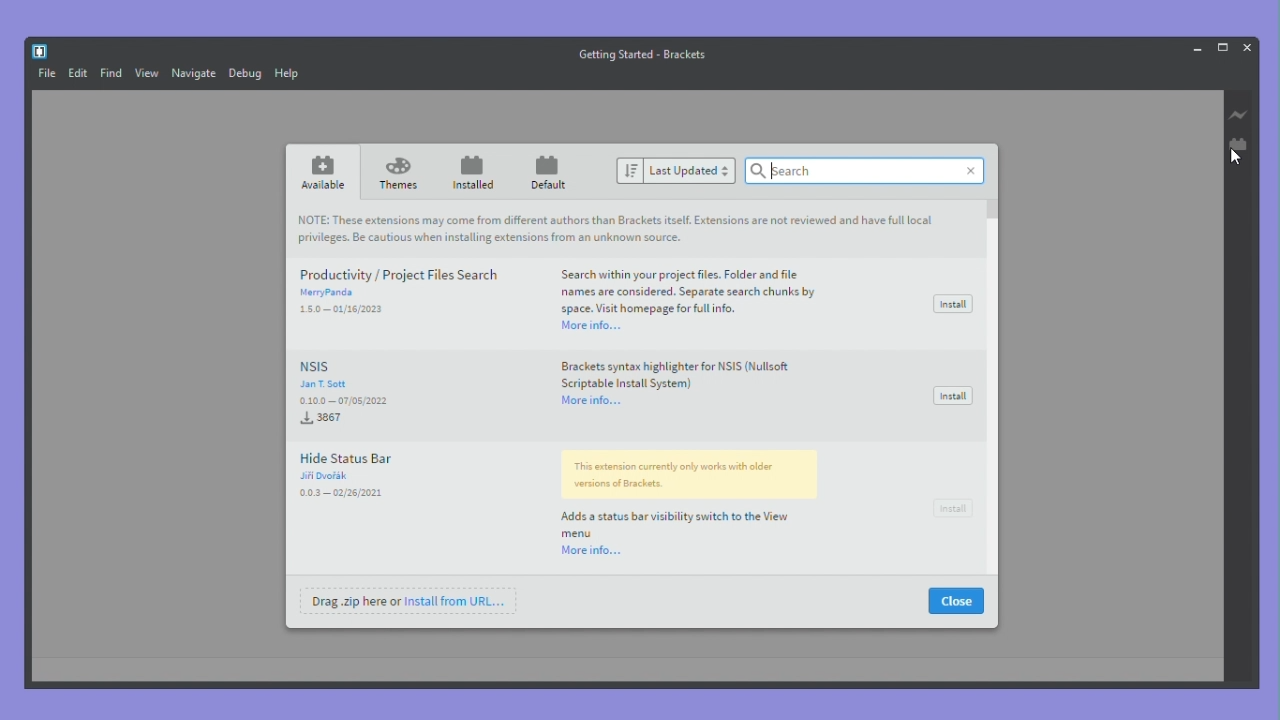 Image resolution: width=1280 pixels, height=720 pixels. Describe the element at coordinates (112, 73) in the screenshot. I see `Find` at that location.